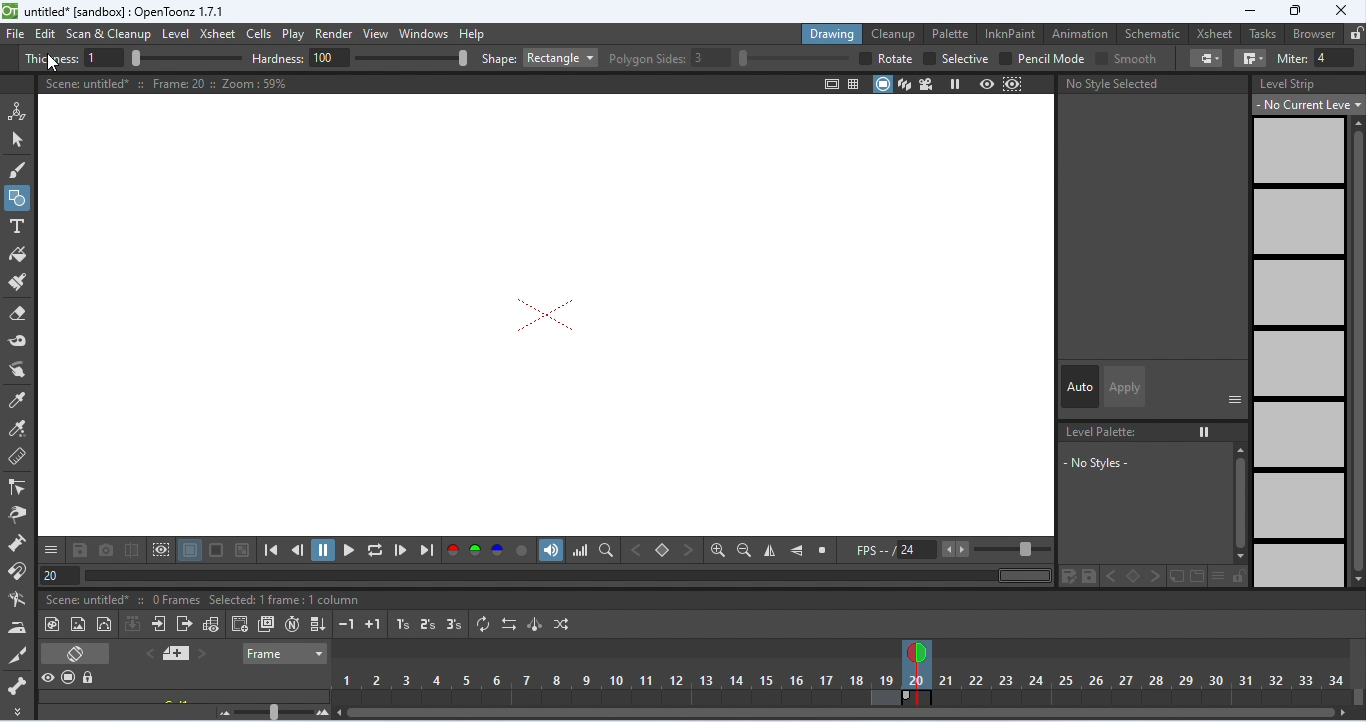 The image size is (1366, 722). What do you see at coordinates (170, 83) in the screenshot?
I see `frame 20` at bounding box center [170, 83].